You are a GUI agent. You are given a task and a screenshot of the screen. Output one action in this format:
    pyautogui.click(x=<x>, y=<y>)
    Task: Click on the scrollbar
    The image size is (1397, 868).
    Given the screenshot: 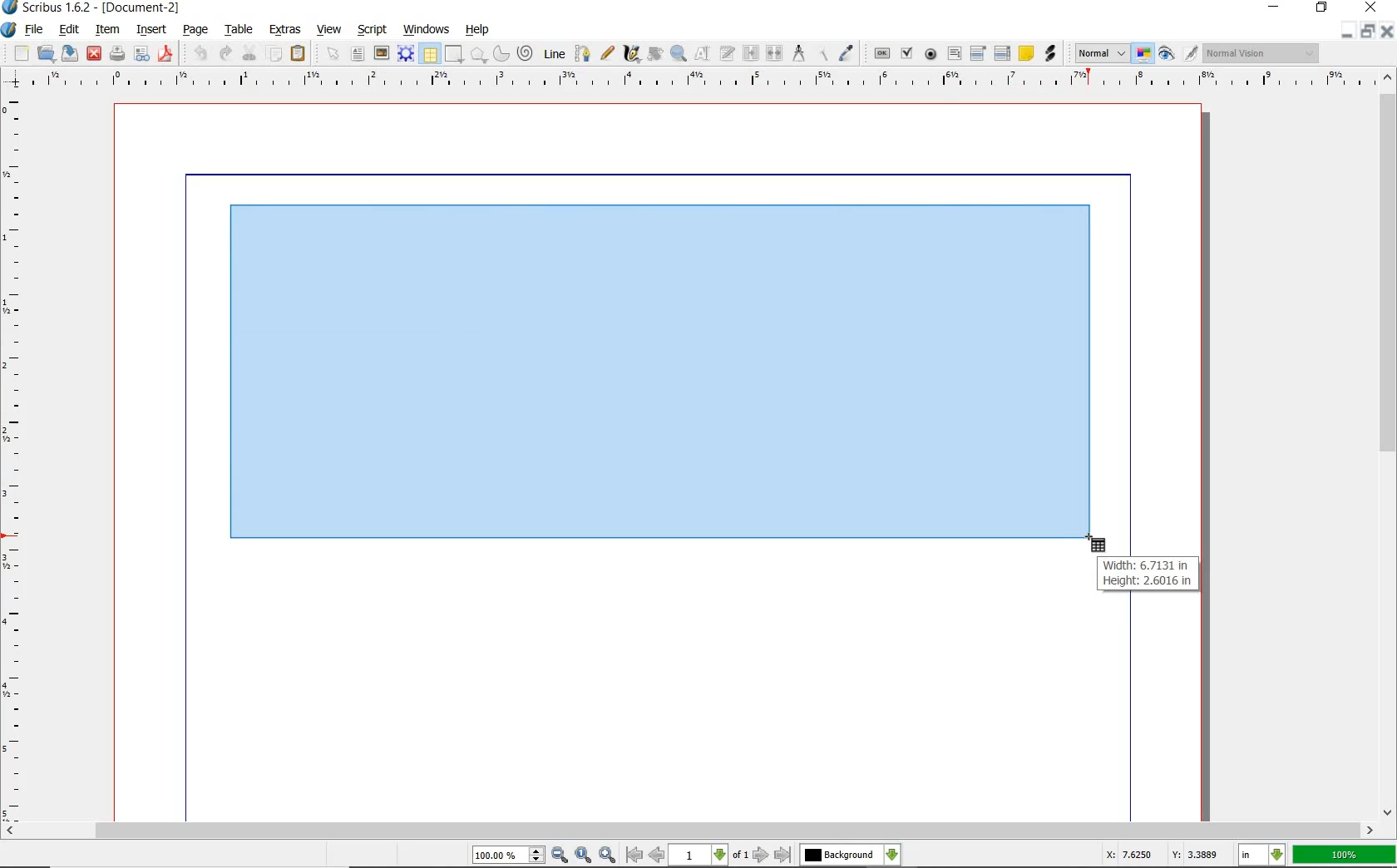 What is the action you would take?
    pyautogui.click(x=1385, y=455)
    